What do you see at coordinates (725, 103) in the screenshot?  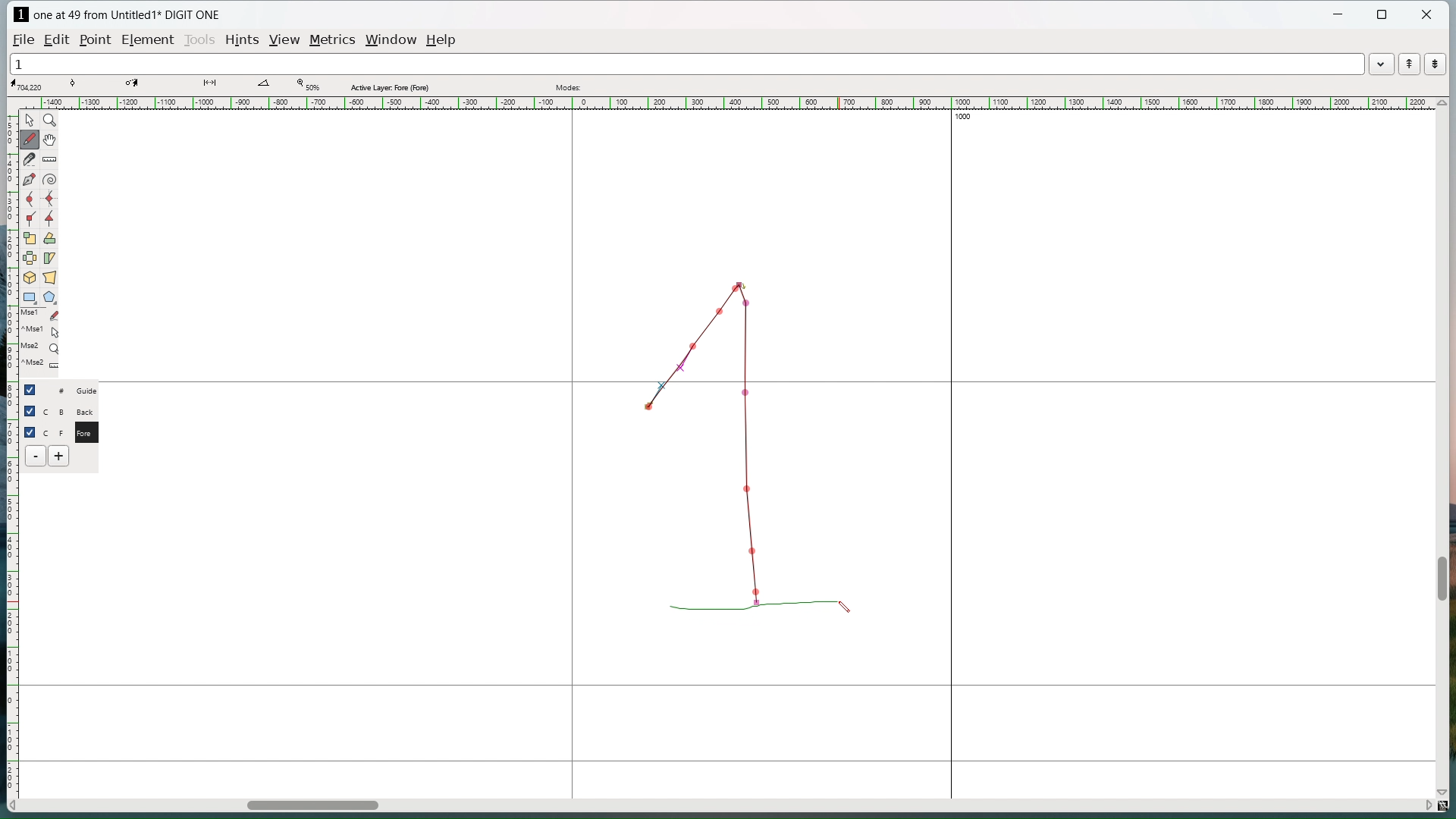 I see `horizontal ruler` at bounding box center [725, 103].